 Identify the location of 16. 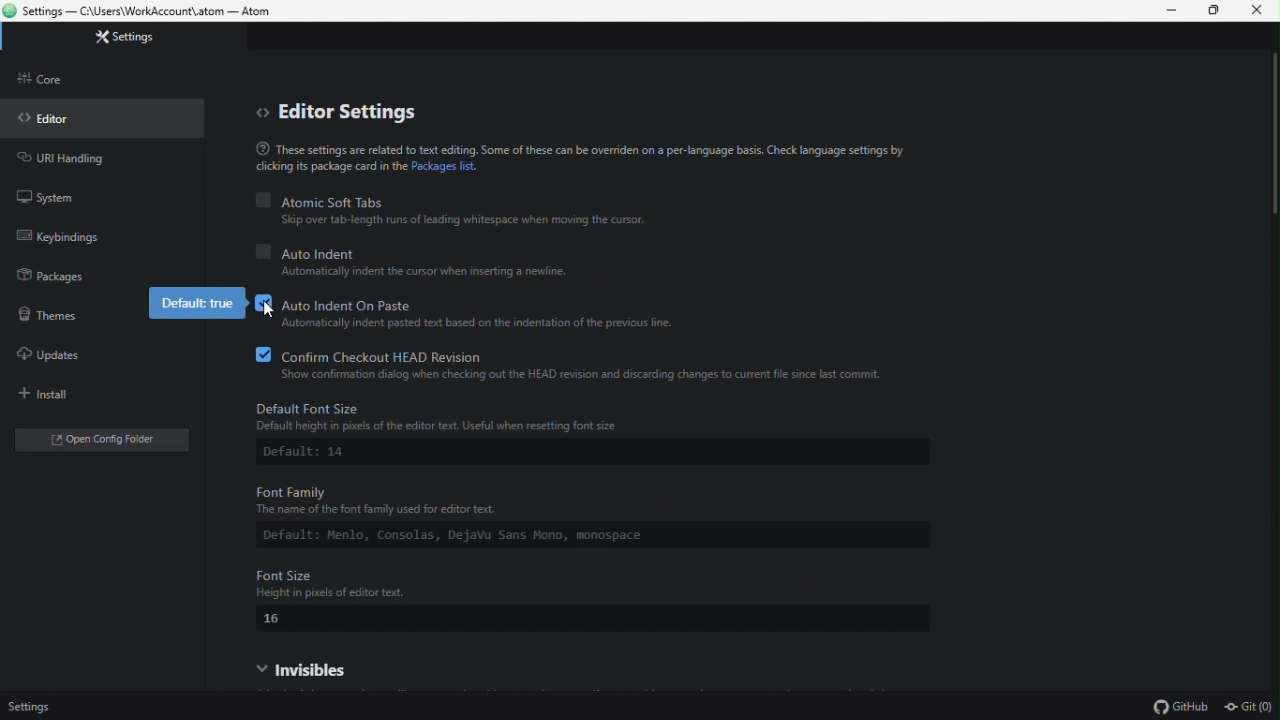
(280, 620).